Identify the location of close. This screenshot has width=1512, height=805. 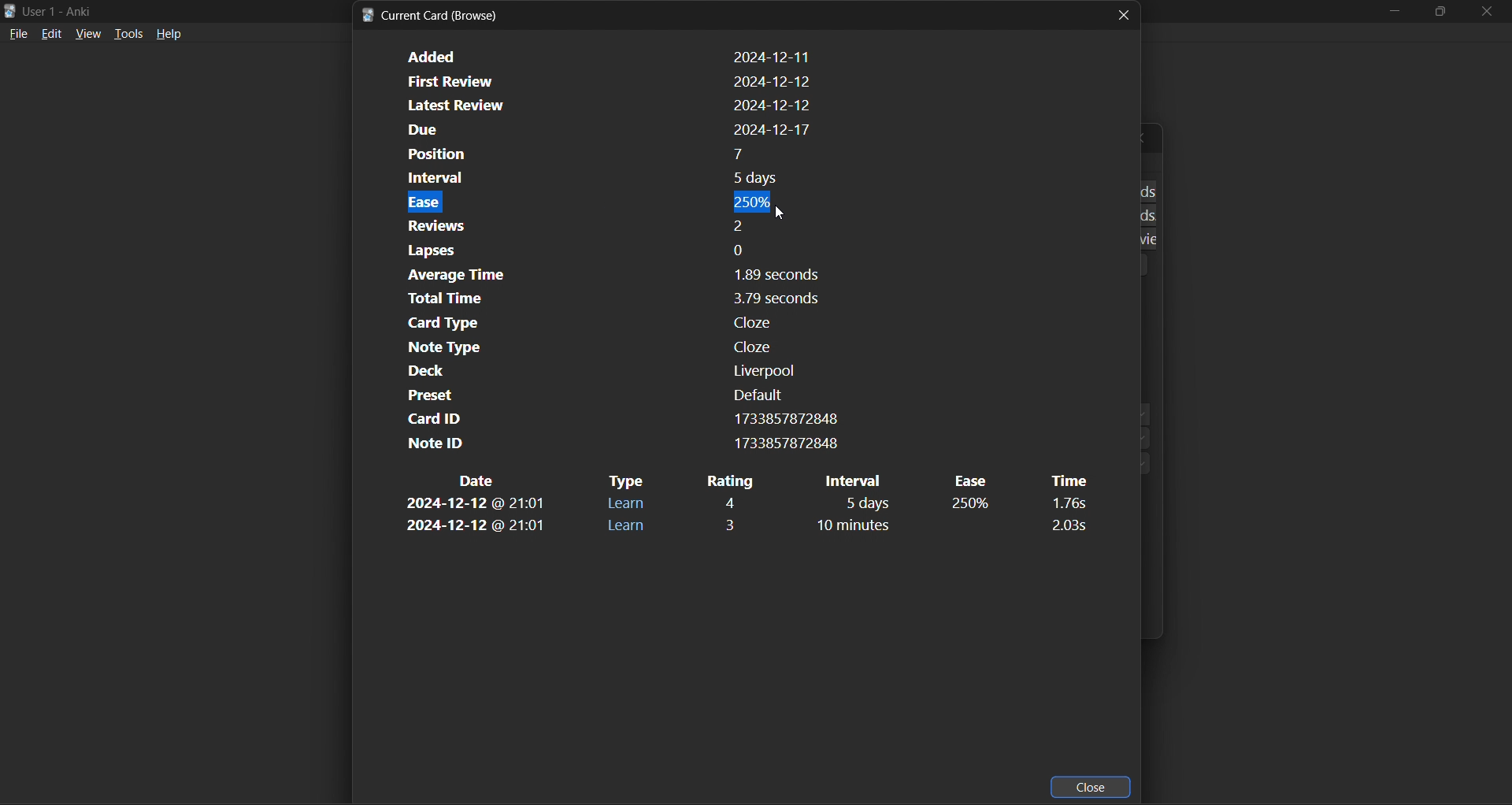
(1092, 786).